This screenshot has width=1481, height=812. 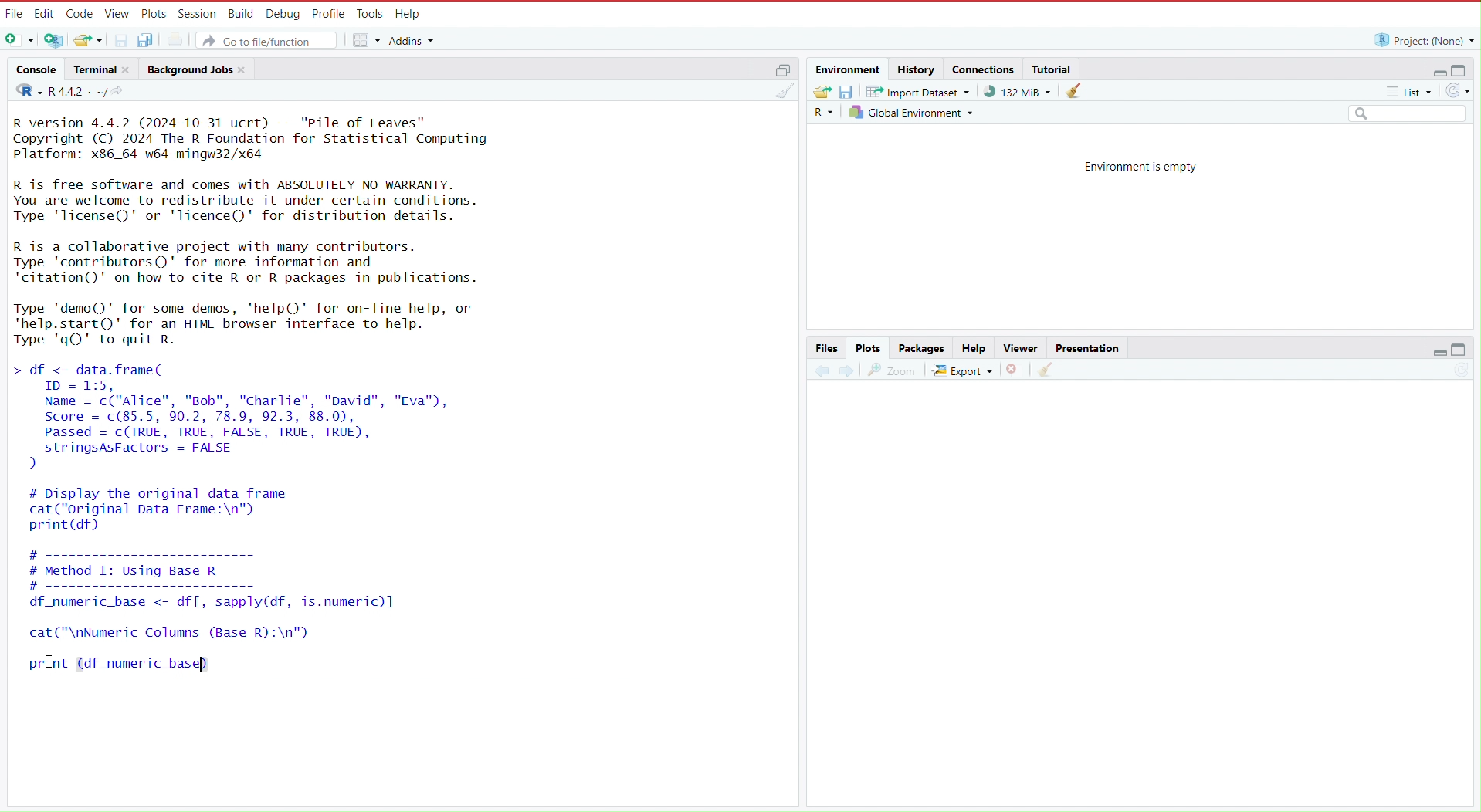 What do you see at coordinates (1438, 350) in the screenshot?
I see `minimize` at bounding box center [1438, 350].